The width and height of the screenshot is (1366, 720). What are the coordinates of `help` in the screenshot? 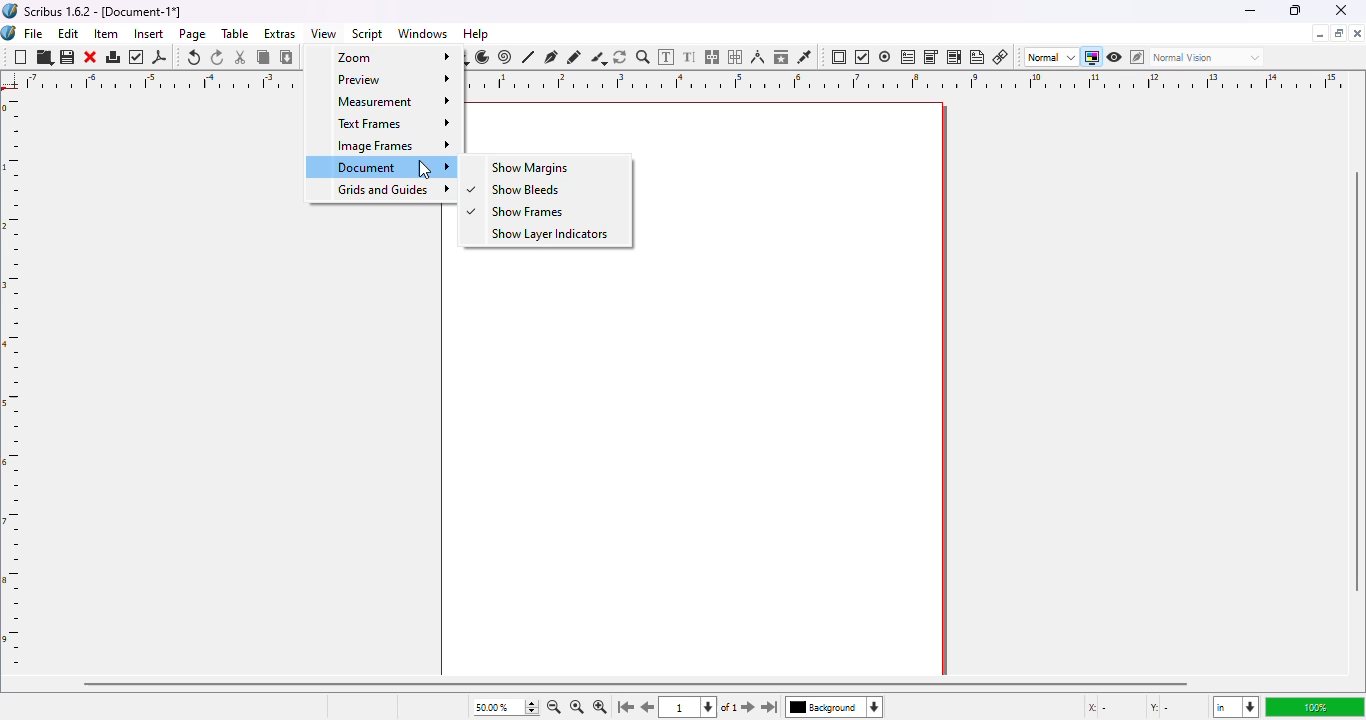 It's located at (476, 34).